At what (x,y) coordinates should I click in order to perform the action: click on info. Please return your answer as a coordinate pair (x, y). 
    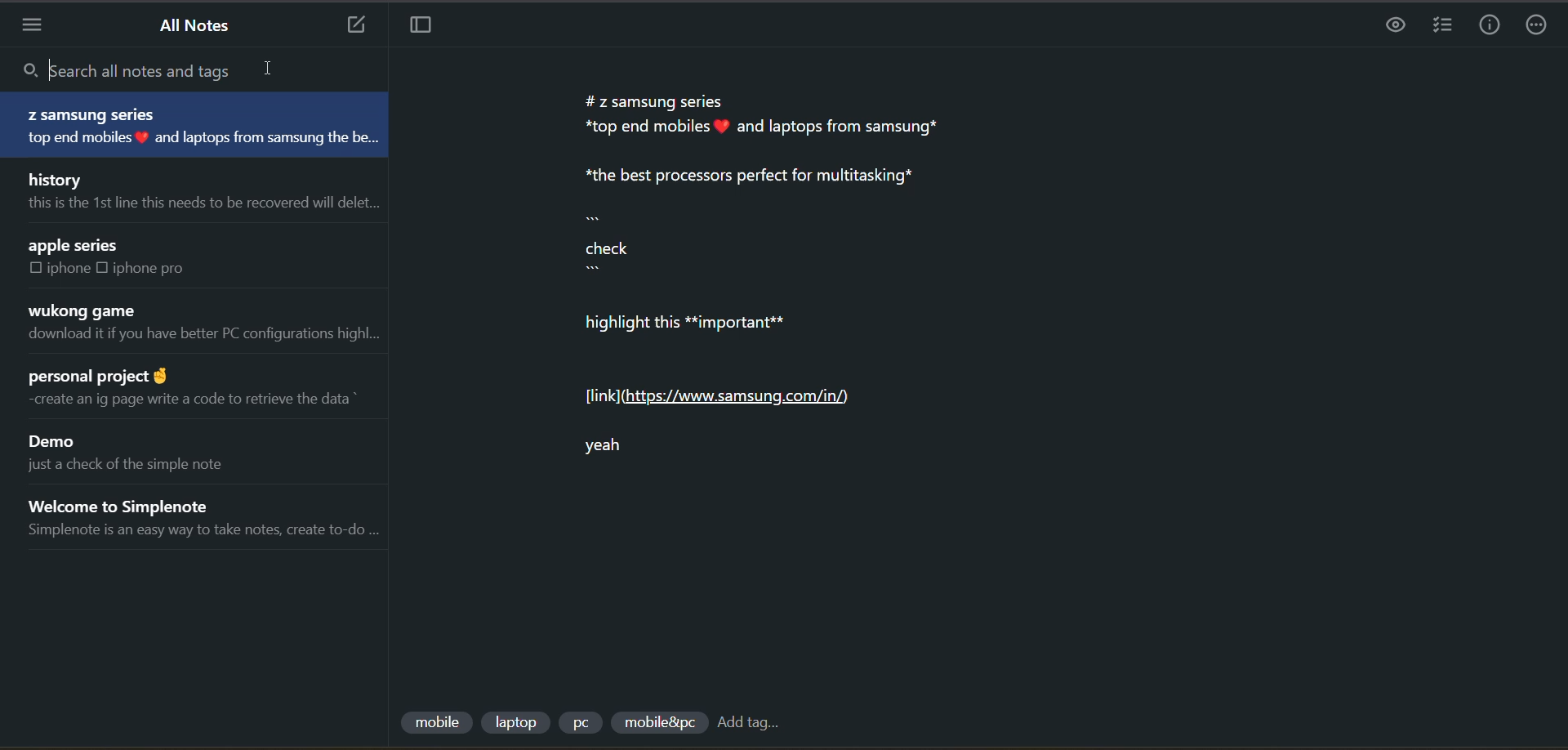
    Looking at the image, I should click on (1483, 26).